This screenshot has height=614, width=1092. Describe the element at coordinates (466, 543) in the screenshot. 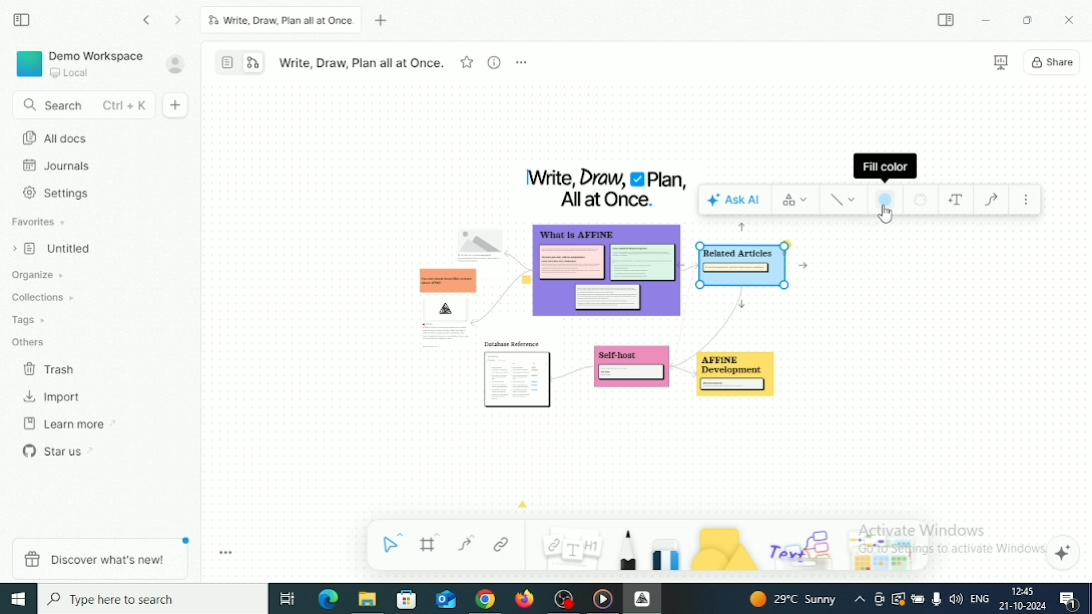

I see `Curve` at that location.